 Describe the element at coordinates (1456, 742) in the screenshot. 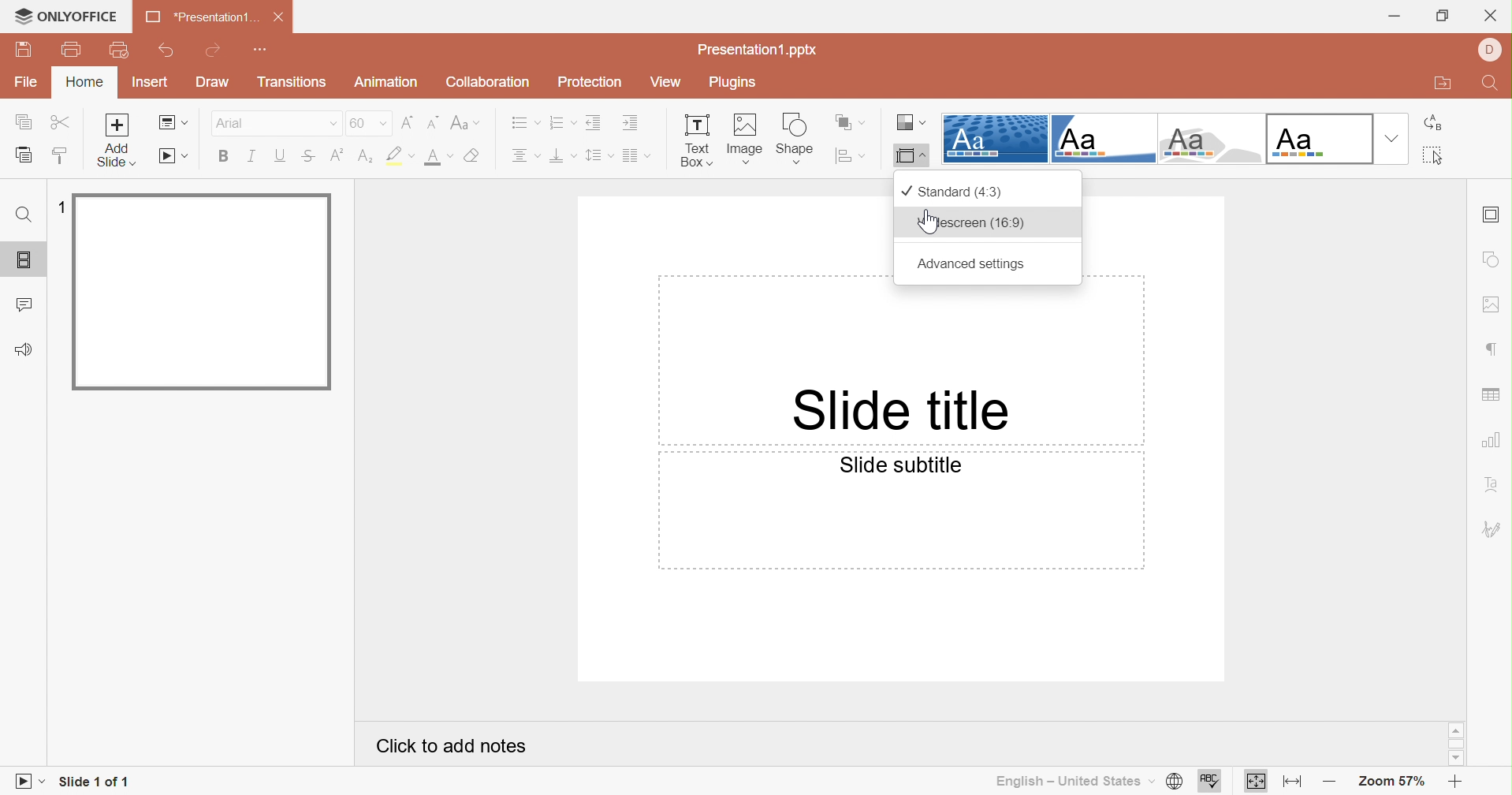

I see `Scroll bar` at that location.